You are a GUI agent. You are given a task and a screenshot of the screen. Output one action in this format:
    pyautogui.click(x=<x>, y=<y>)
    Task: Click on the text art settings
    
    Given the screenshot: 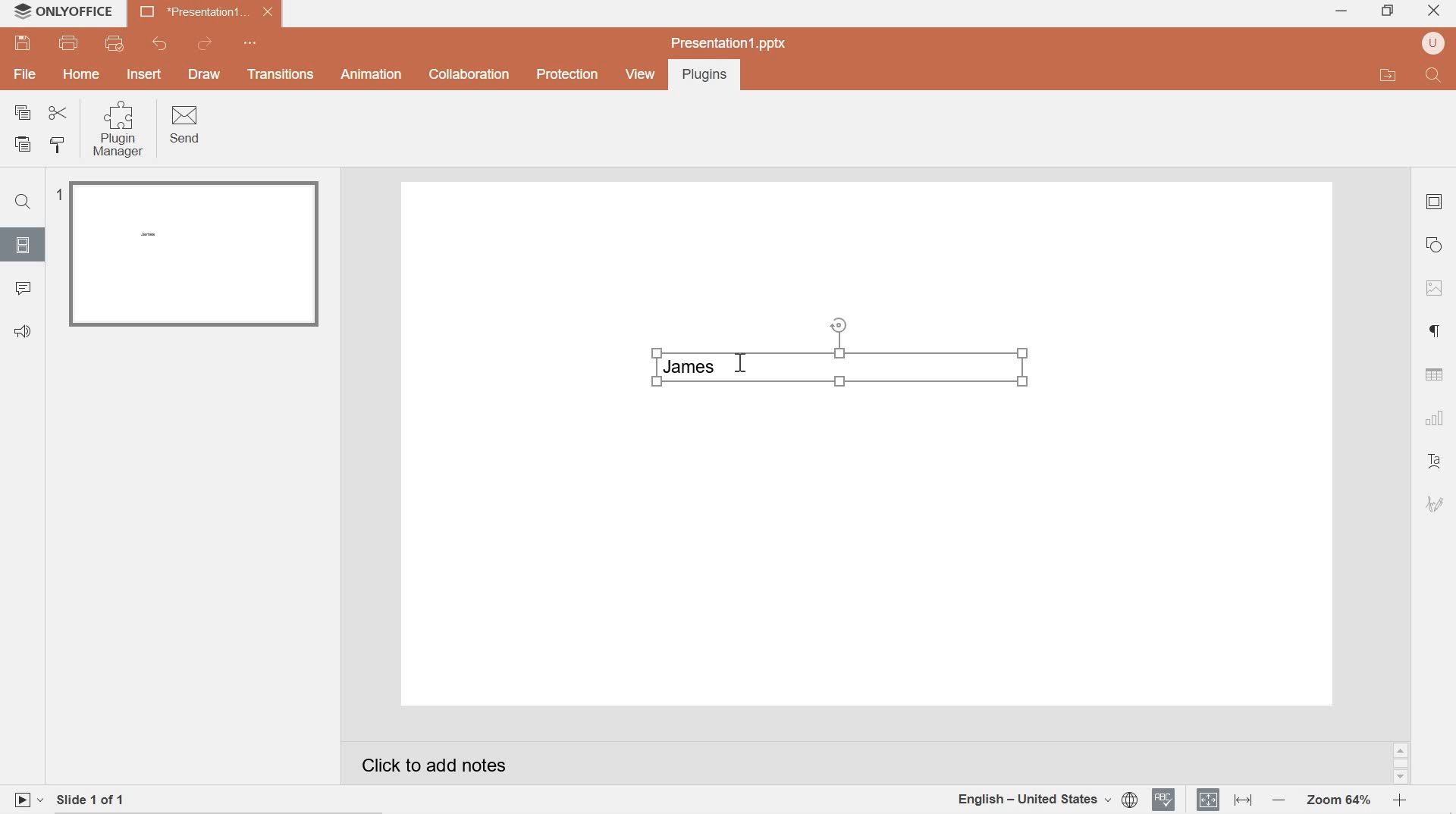 What is the action you would take?
    pyautogui.click(x=1438, y=463)
    